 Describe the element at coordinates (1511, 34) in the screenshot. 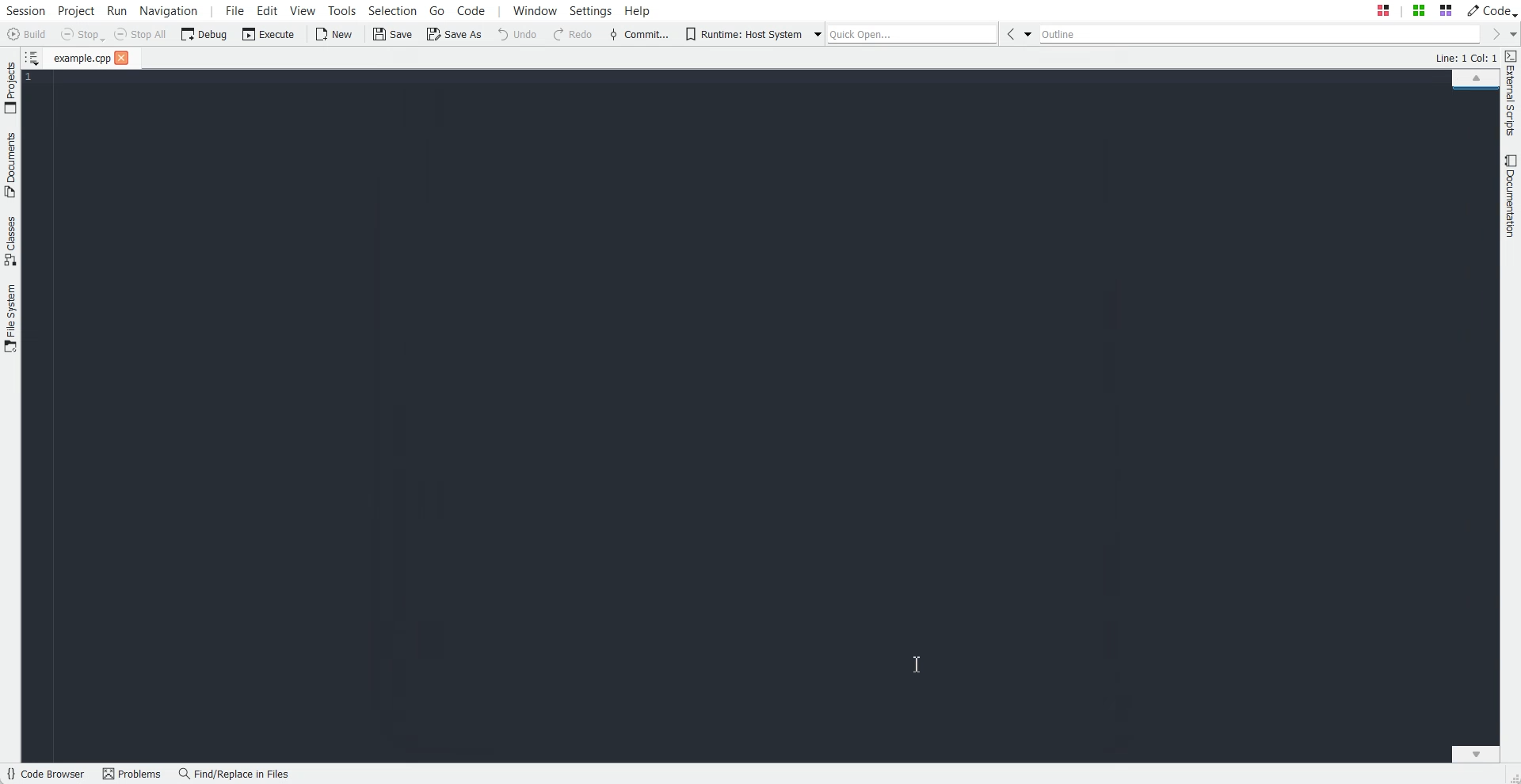

I see `Drop down box` at that location.